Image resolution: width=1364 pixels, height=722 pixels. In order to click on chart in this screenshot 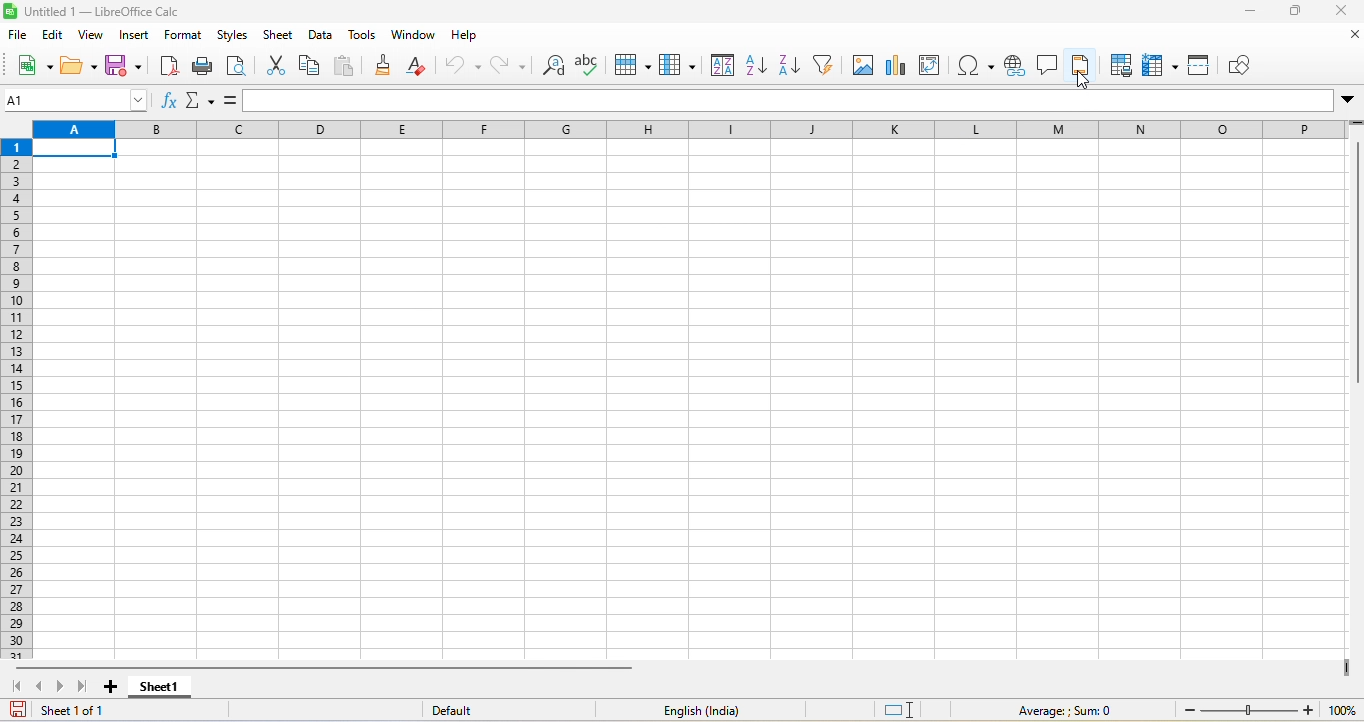, I will do `click(901, 64)`.